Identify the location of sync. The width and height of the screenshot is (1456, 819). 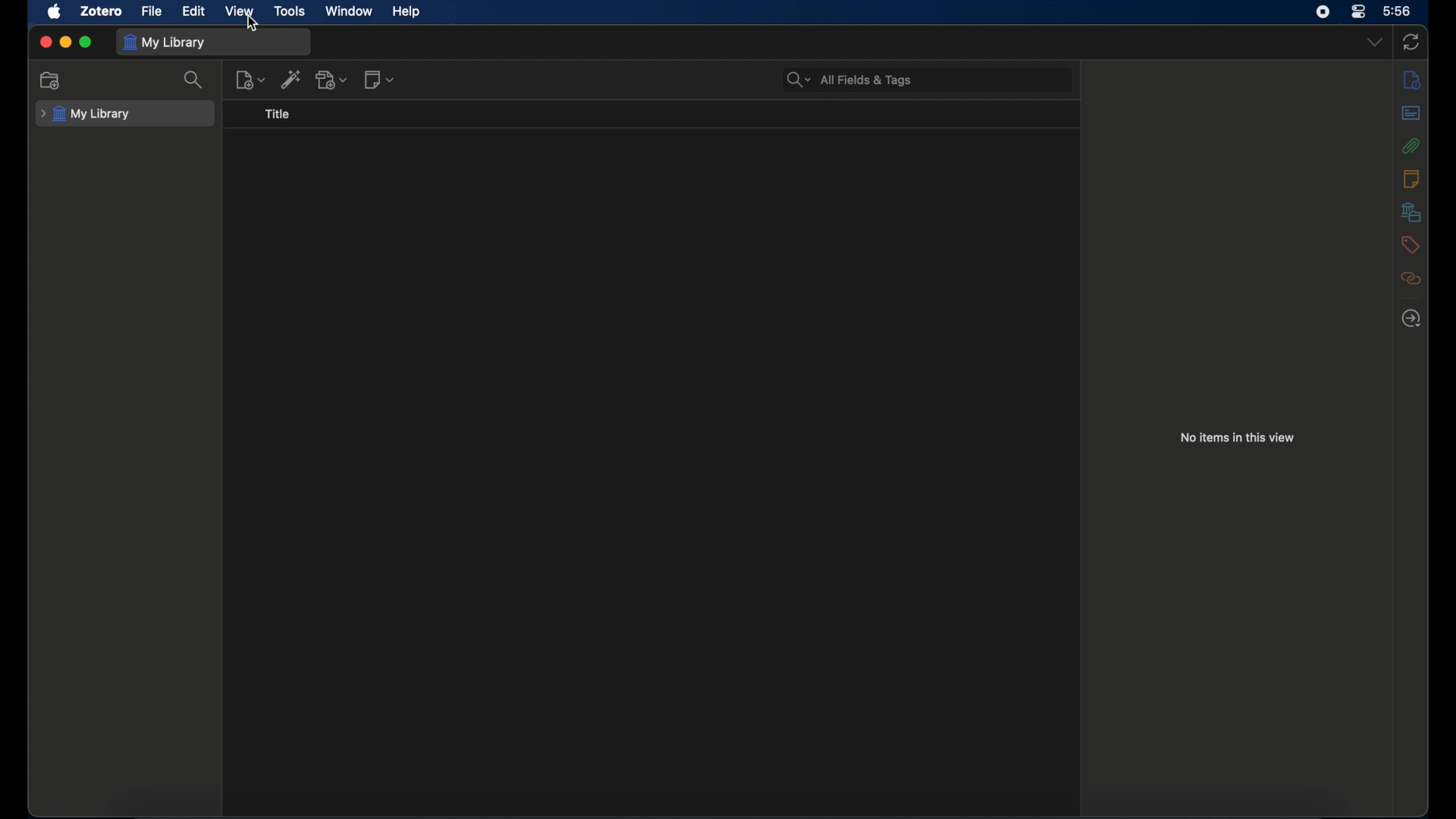
(1412, 43).